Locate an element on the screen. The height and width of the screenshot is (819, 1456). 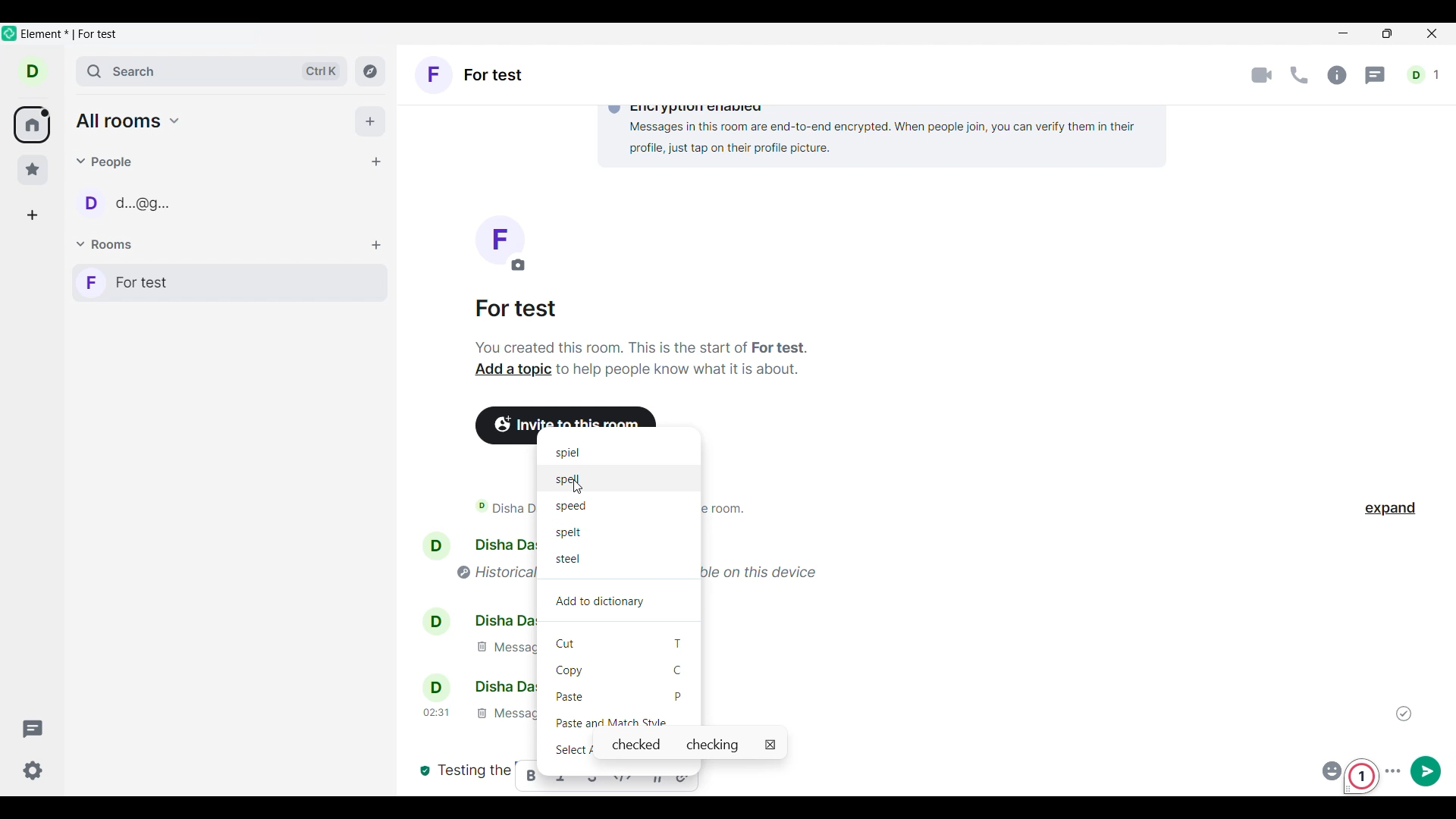
Close interface is located at coordinates (1433, 35).